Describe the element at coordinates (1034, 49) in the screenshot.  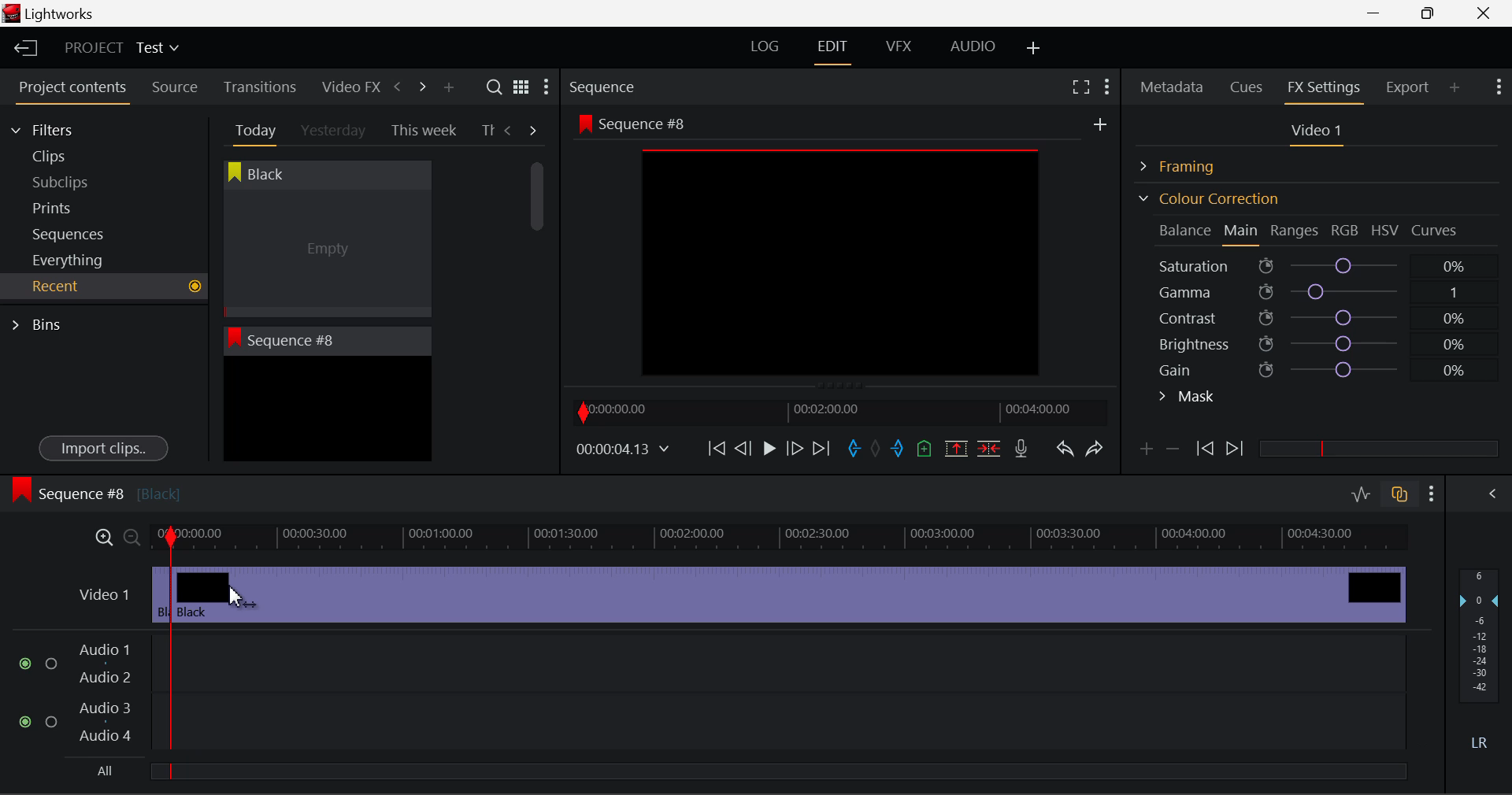
I see `Add Layout` at that location.